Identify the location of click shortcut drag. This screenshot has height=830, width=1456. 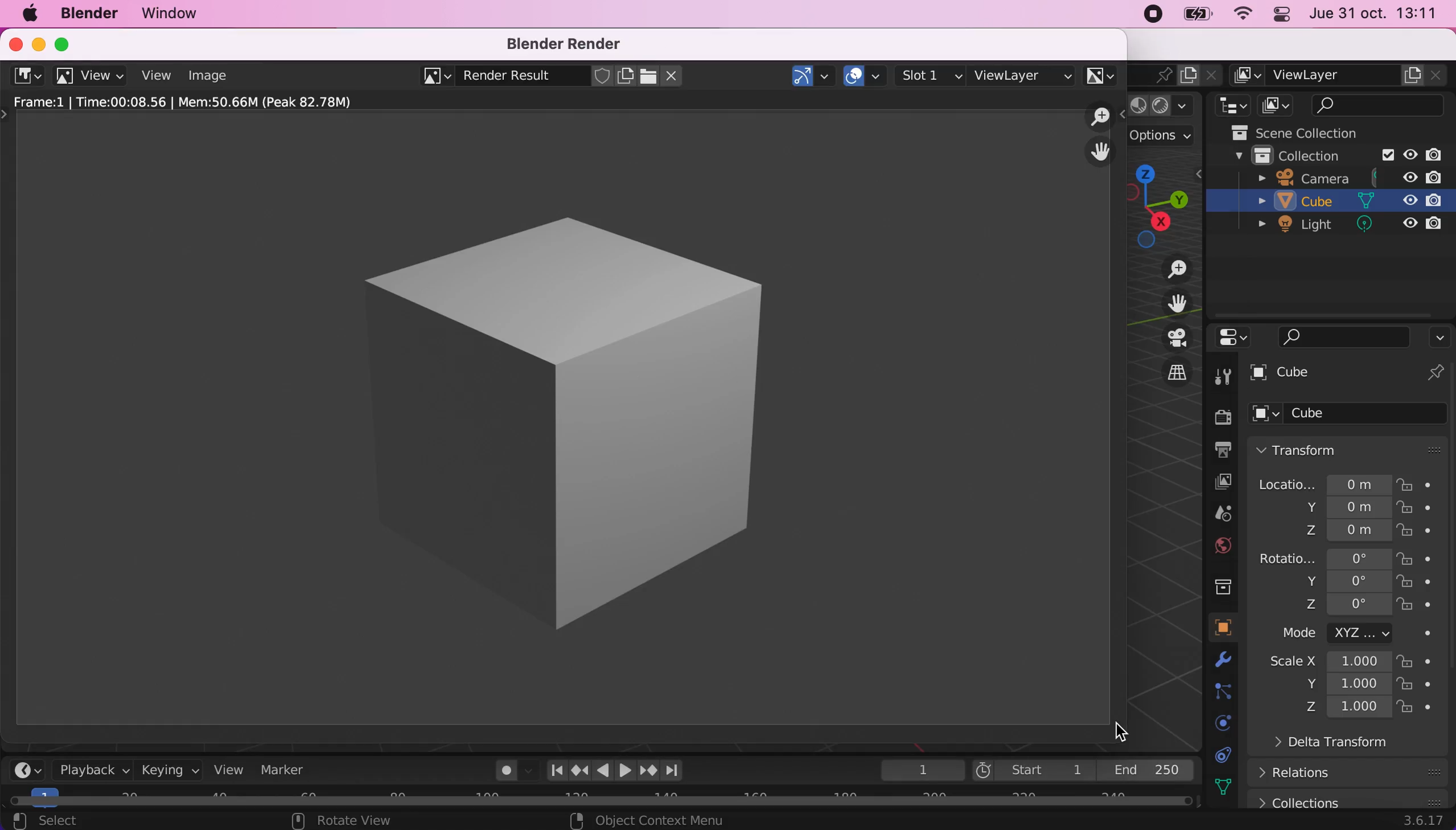
(1166, 204).